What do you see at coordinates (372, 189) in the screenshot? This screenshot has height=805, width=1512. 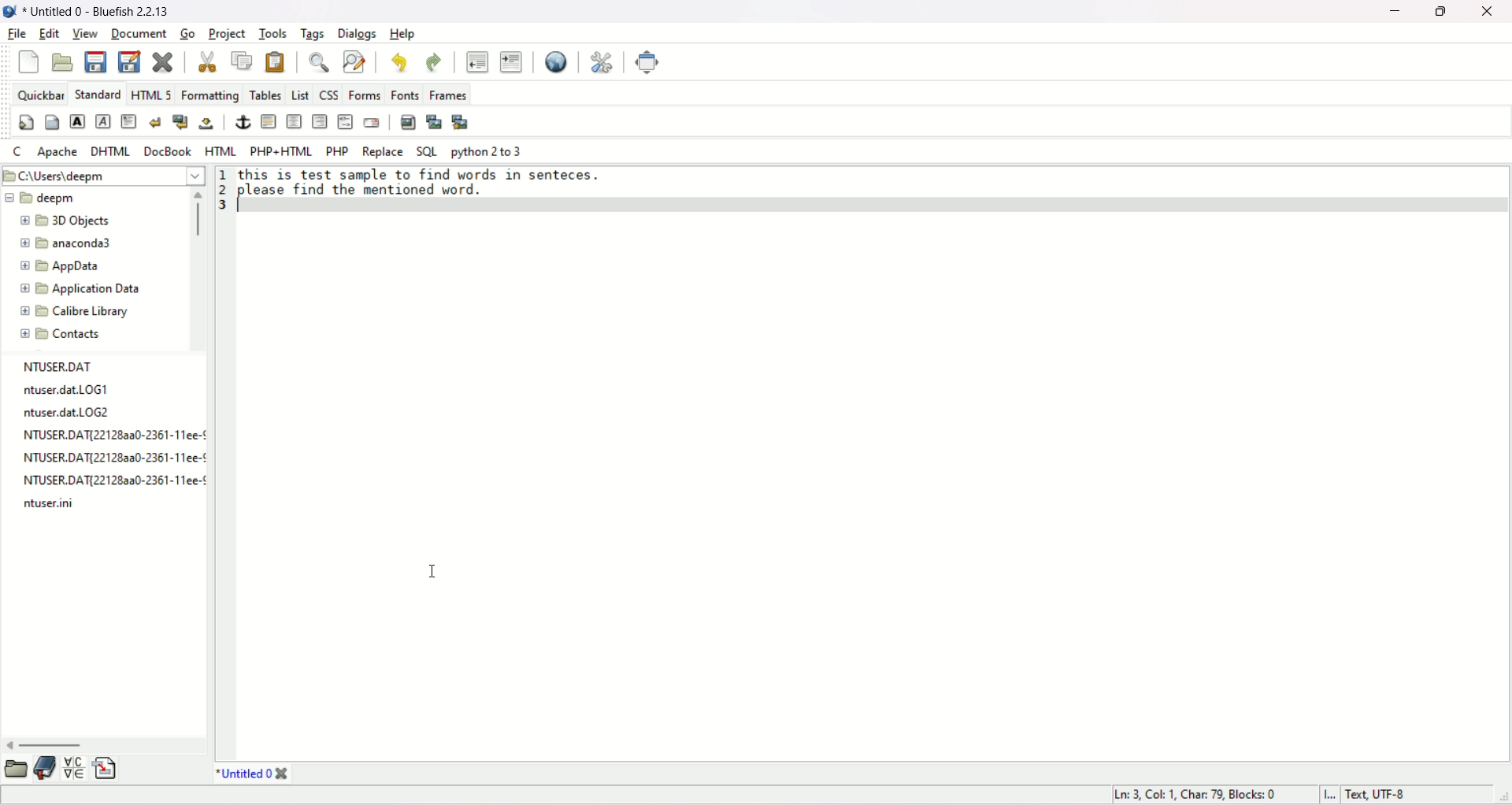 I see `please find the mentioned word` at bounding box center [372, 189].